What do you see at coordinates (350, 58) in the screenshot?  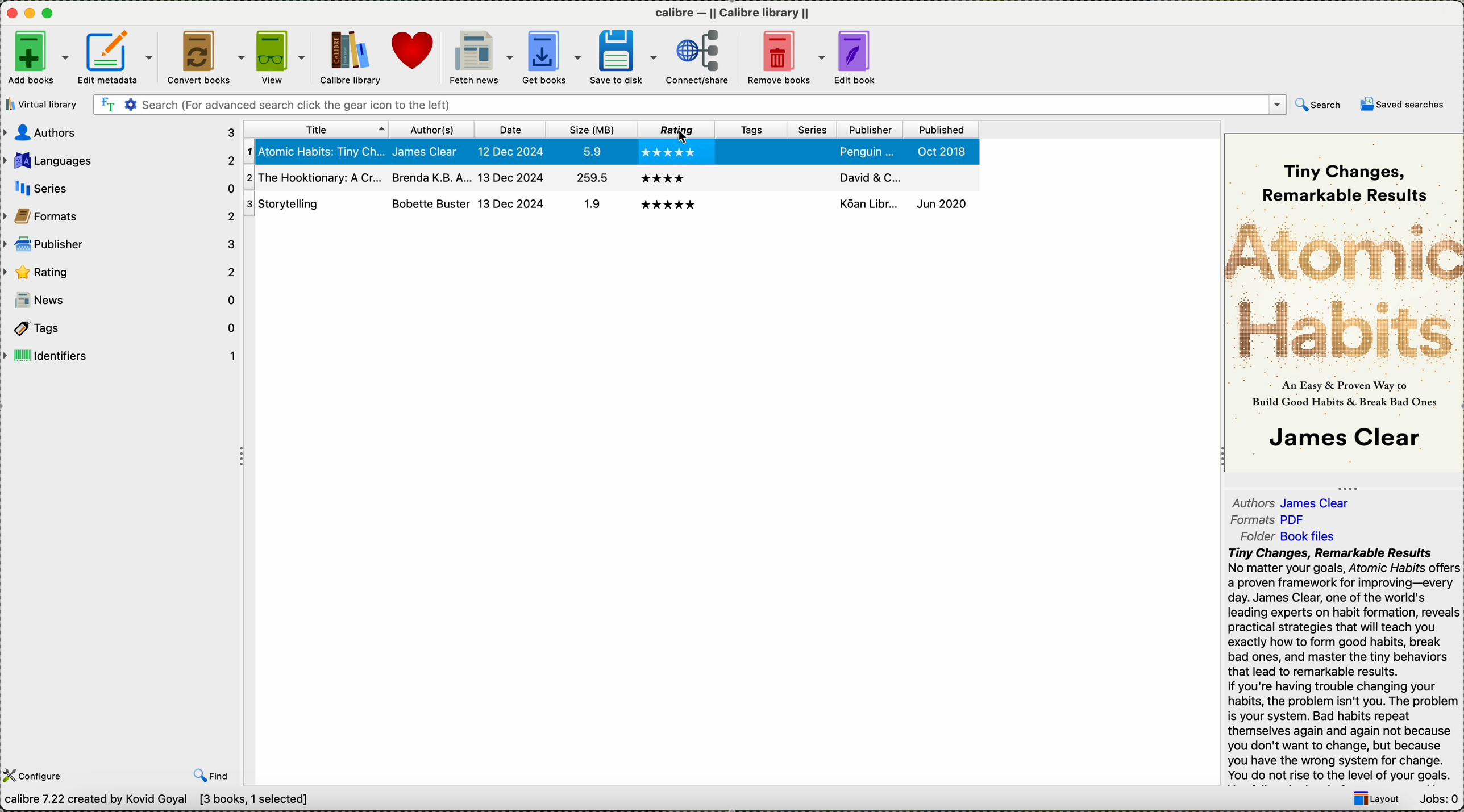 I see `Calibre library` at bounding box center [350, 58].